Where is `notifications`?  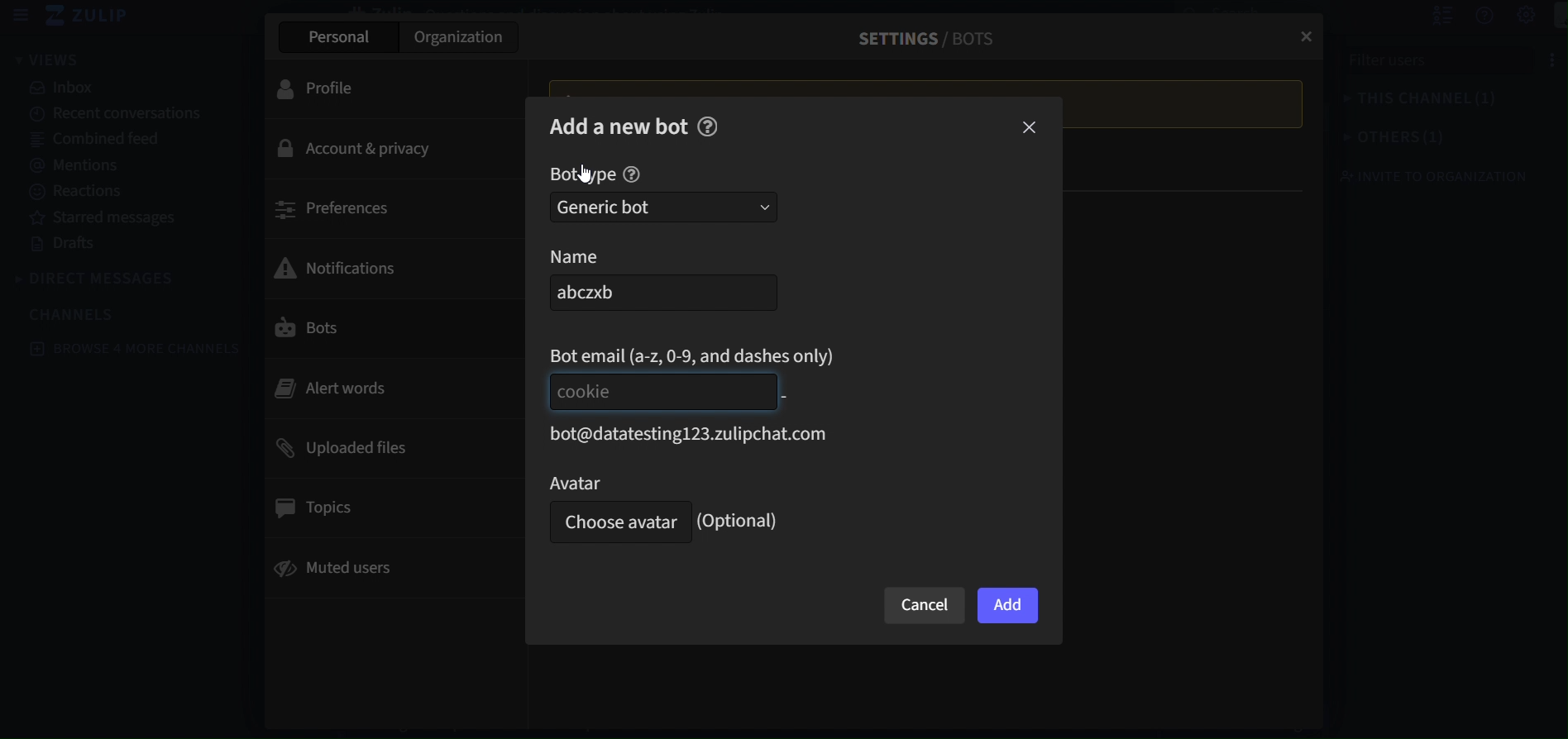 notifications is located at coordinates (382, 266).